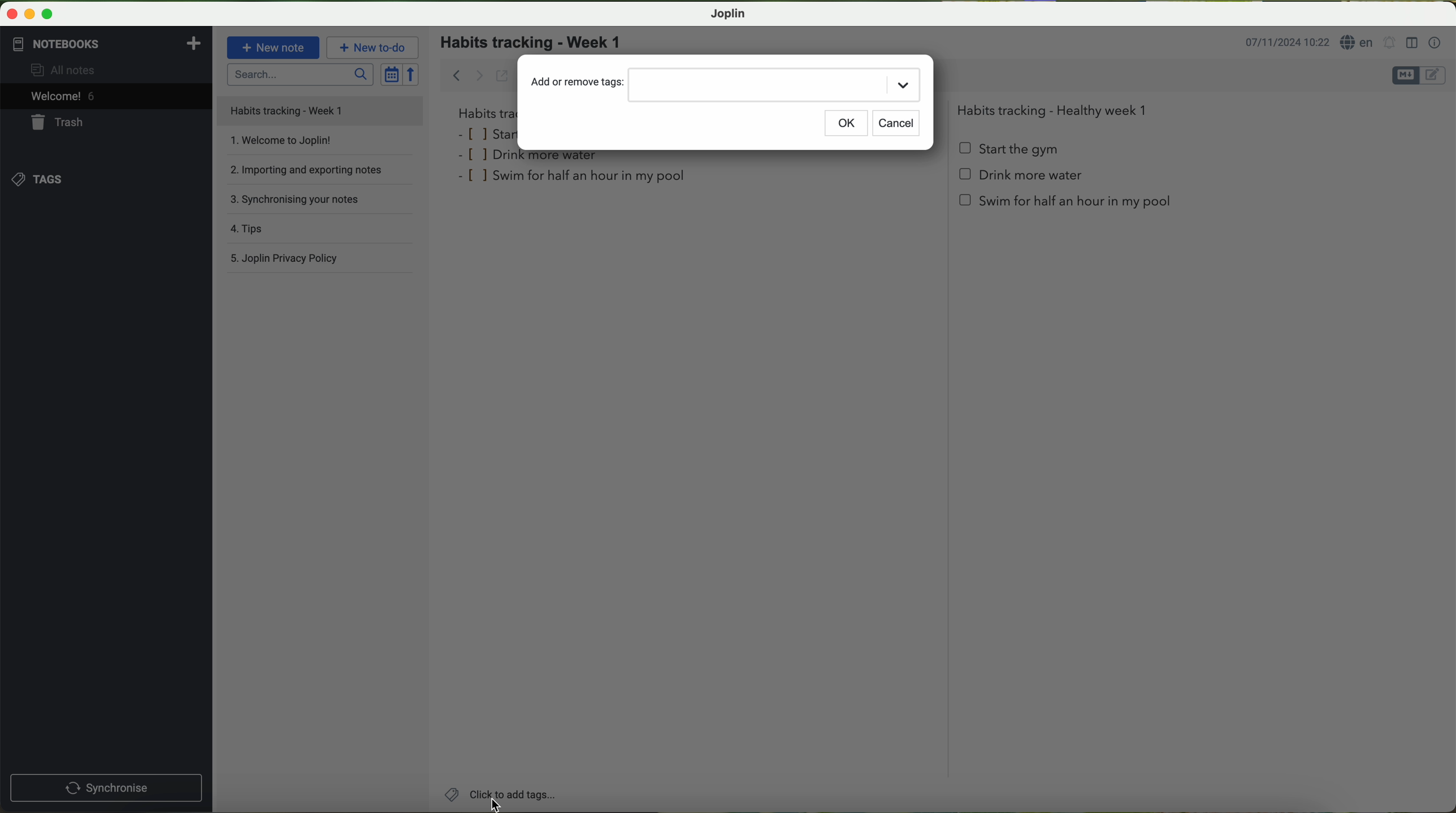  I want to click on search bar, so click(299, 74).